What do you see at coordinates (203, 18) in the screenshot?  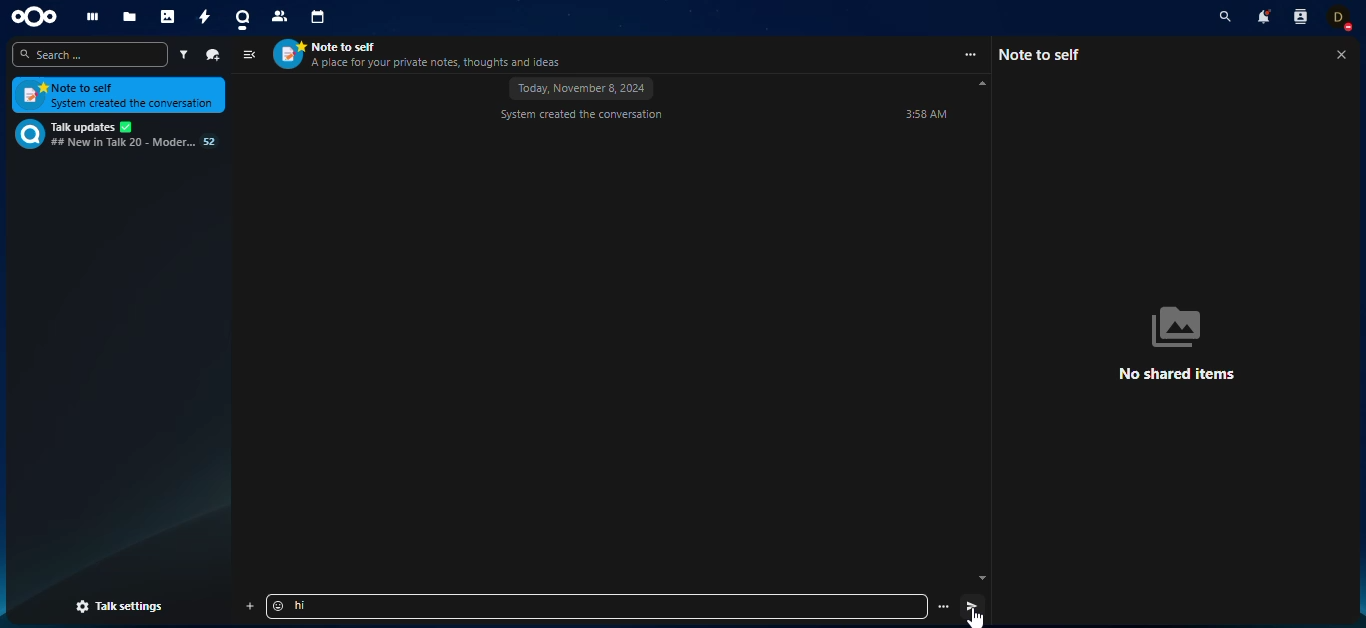 I see `activity` at bounding box center [203, 18].